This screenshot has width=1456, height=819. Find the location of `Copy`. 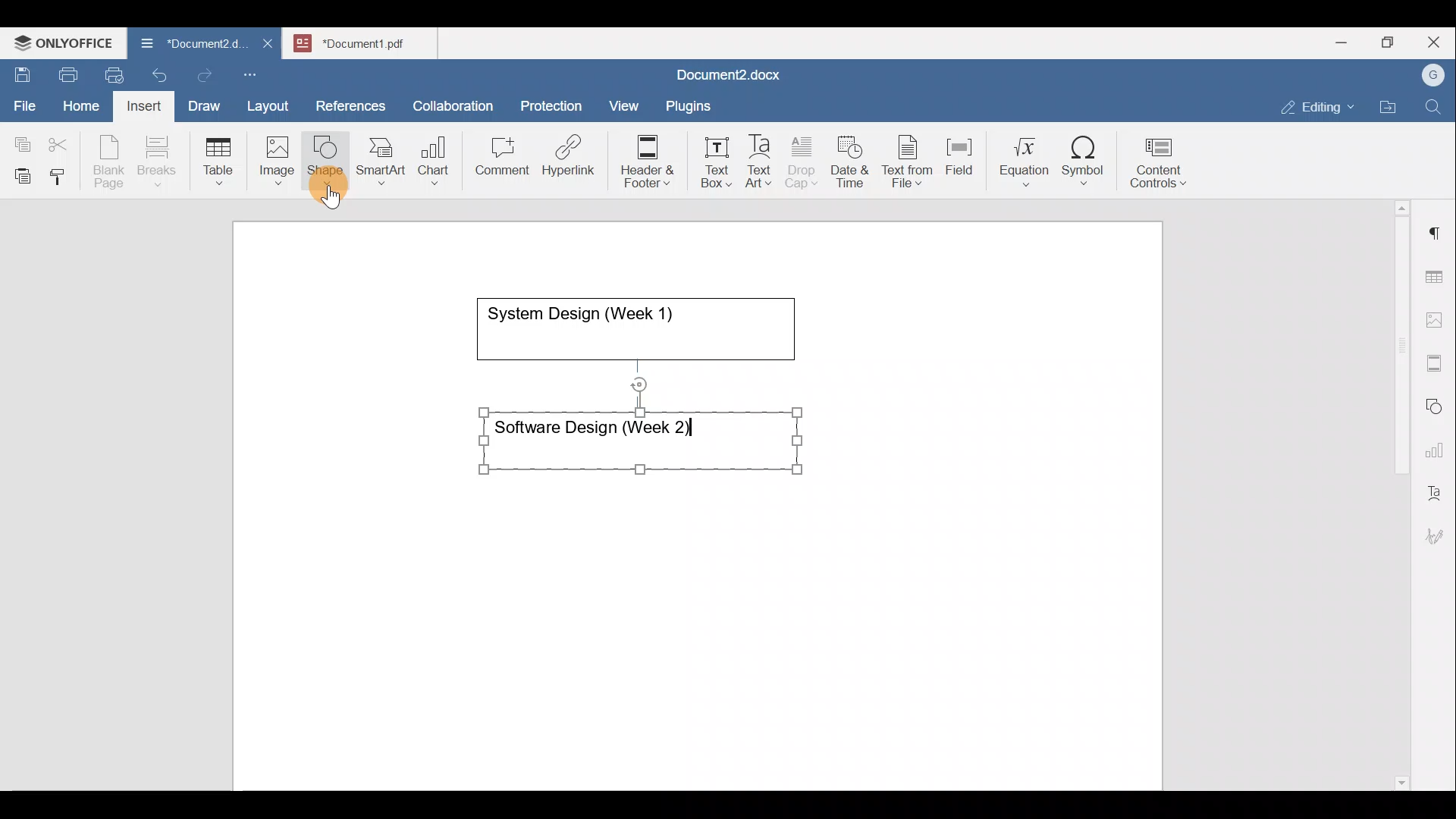

Copy is located at coordinates (20, 140).